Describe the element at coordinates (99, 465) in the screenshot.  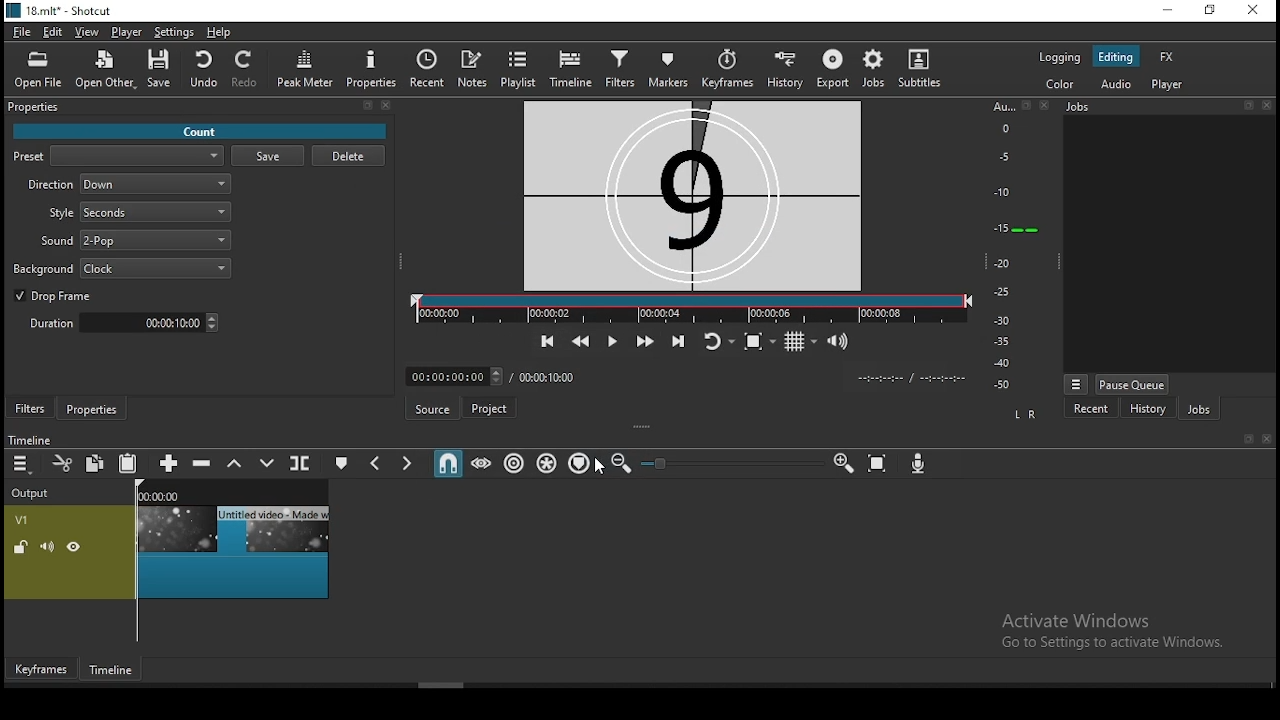
I see `copy` at that location.